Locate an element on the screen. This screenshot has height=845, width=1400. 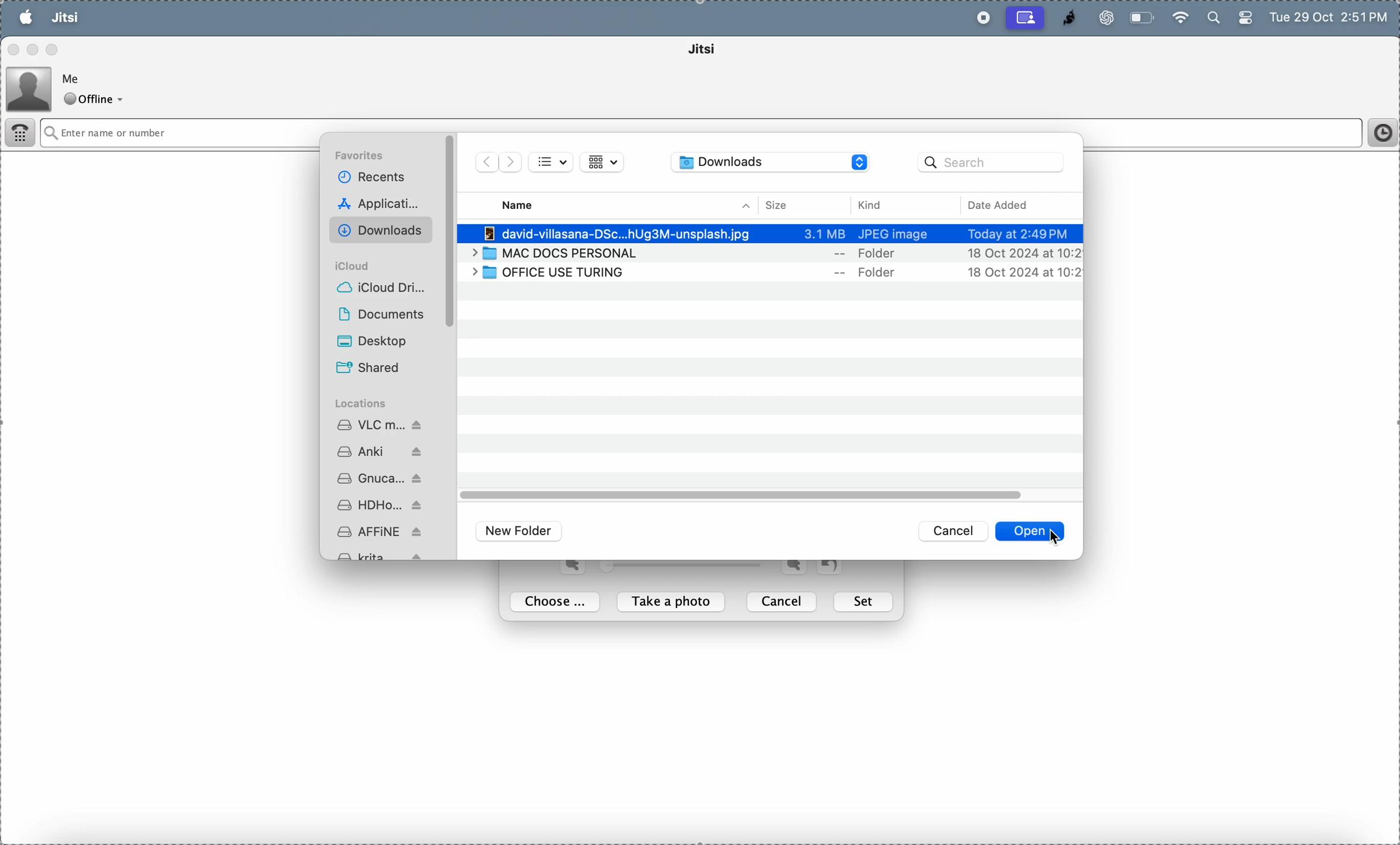
applications is located at coordinates (381, 203).